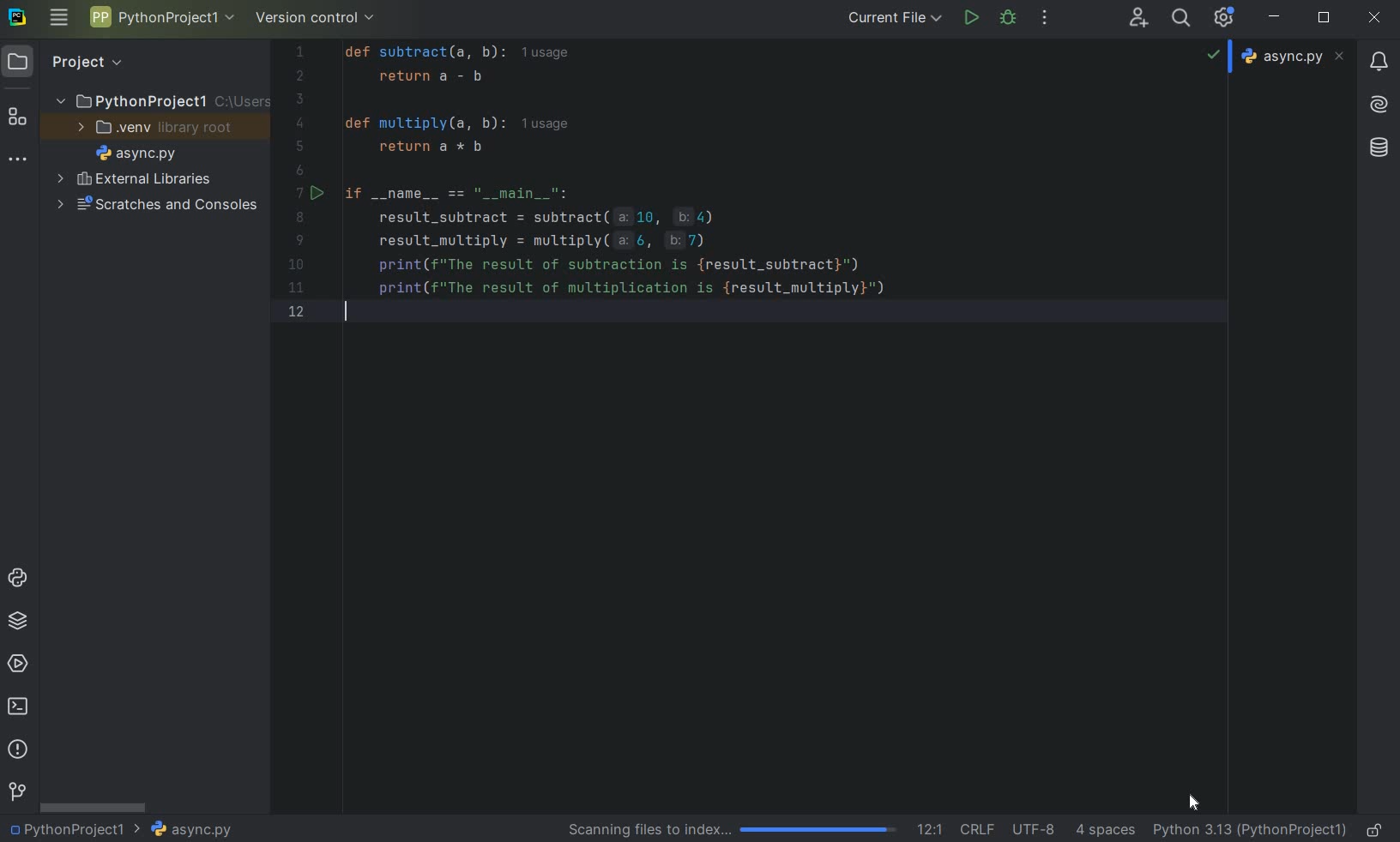 The width and height of the screenshot is (1400, 842). What do you see at coordinates (709, 189) in the screenshot?
I see `code with me` at bounding box center [709, 189].